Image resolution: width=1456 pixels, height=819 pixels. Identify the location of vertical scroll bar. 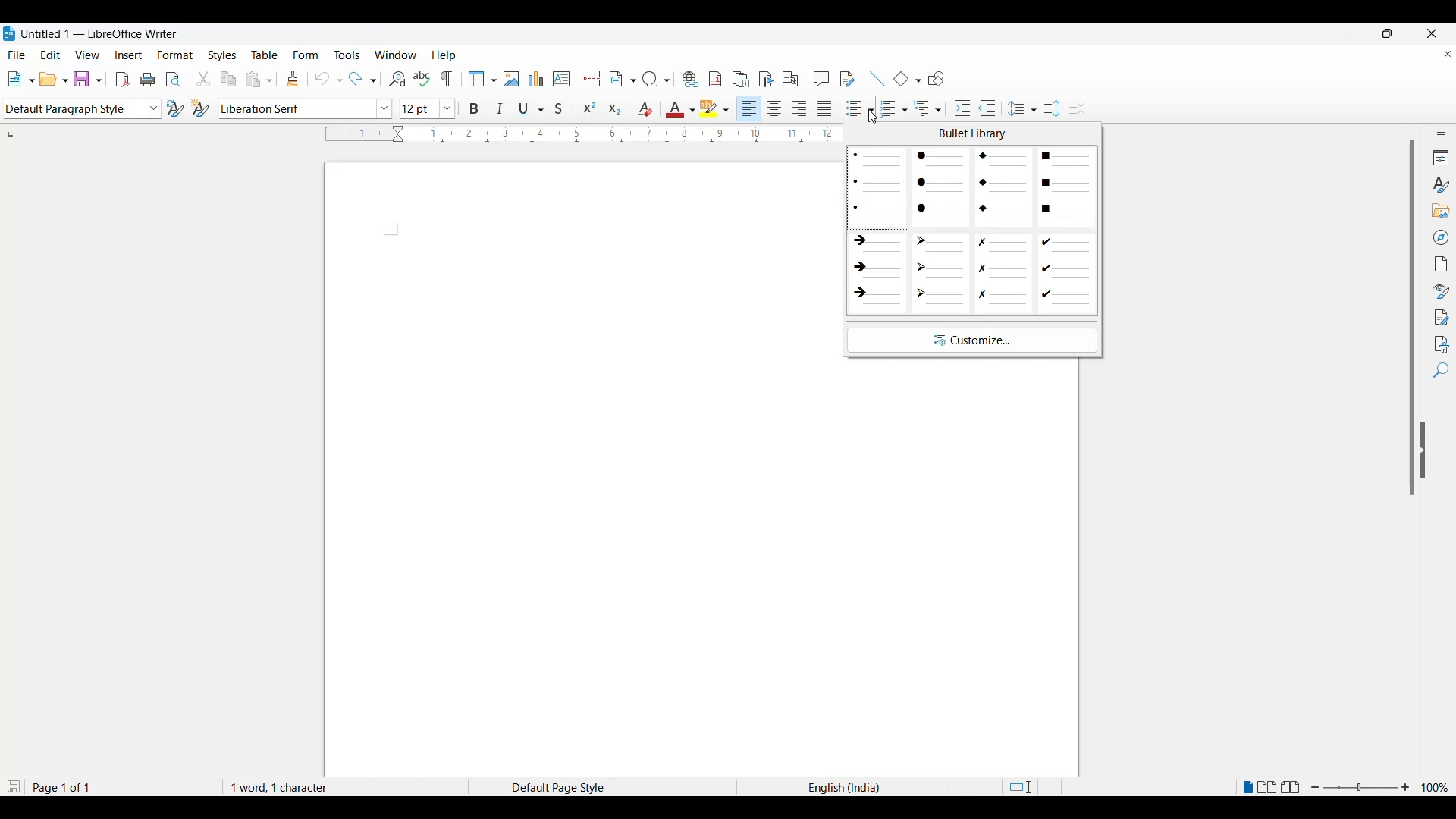
(1404, 319).